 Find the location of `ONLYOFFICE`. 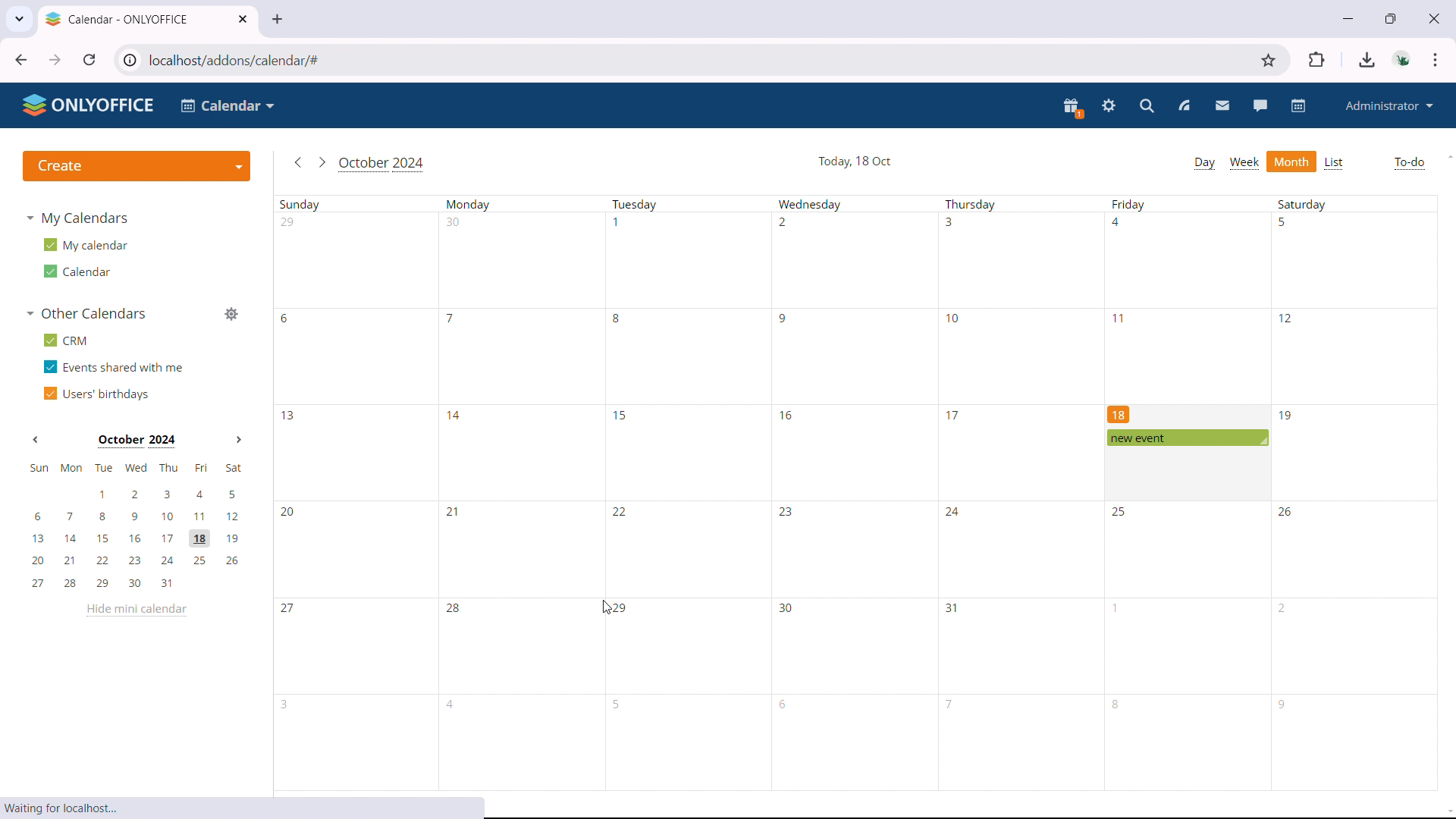

ONLYOFFICE is located at coordinates (89, 105).